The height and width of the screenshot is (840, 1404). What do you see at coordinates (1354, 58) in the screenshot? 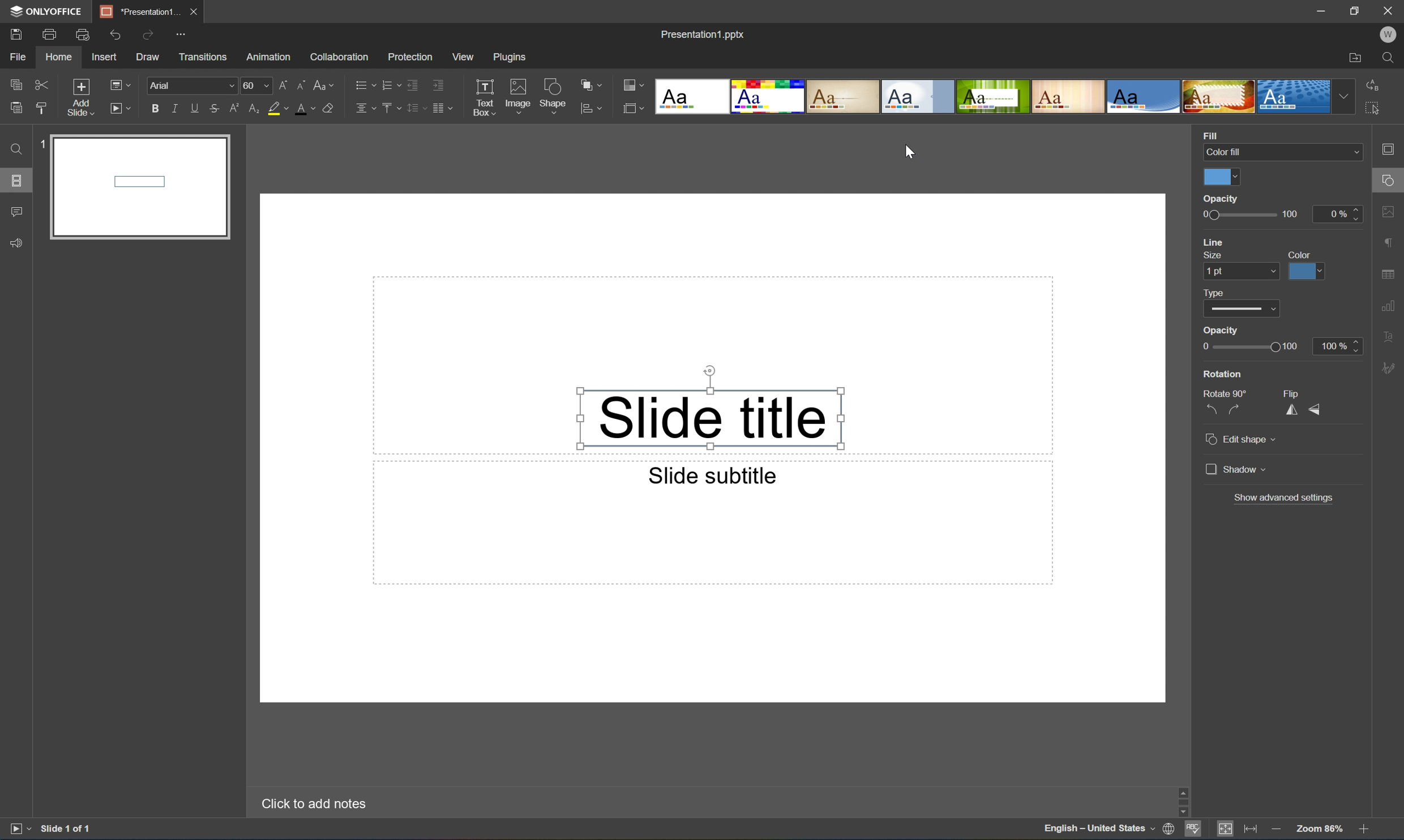
I see `Open file location` at bounding box center [1354, 58].